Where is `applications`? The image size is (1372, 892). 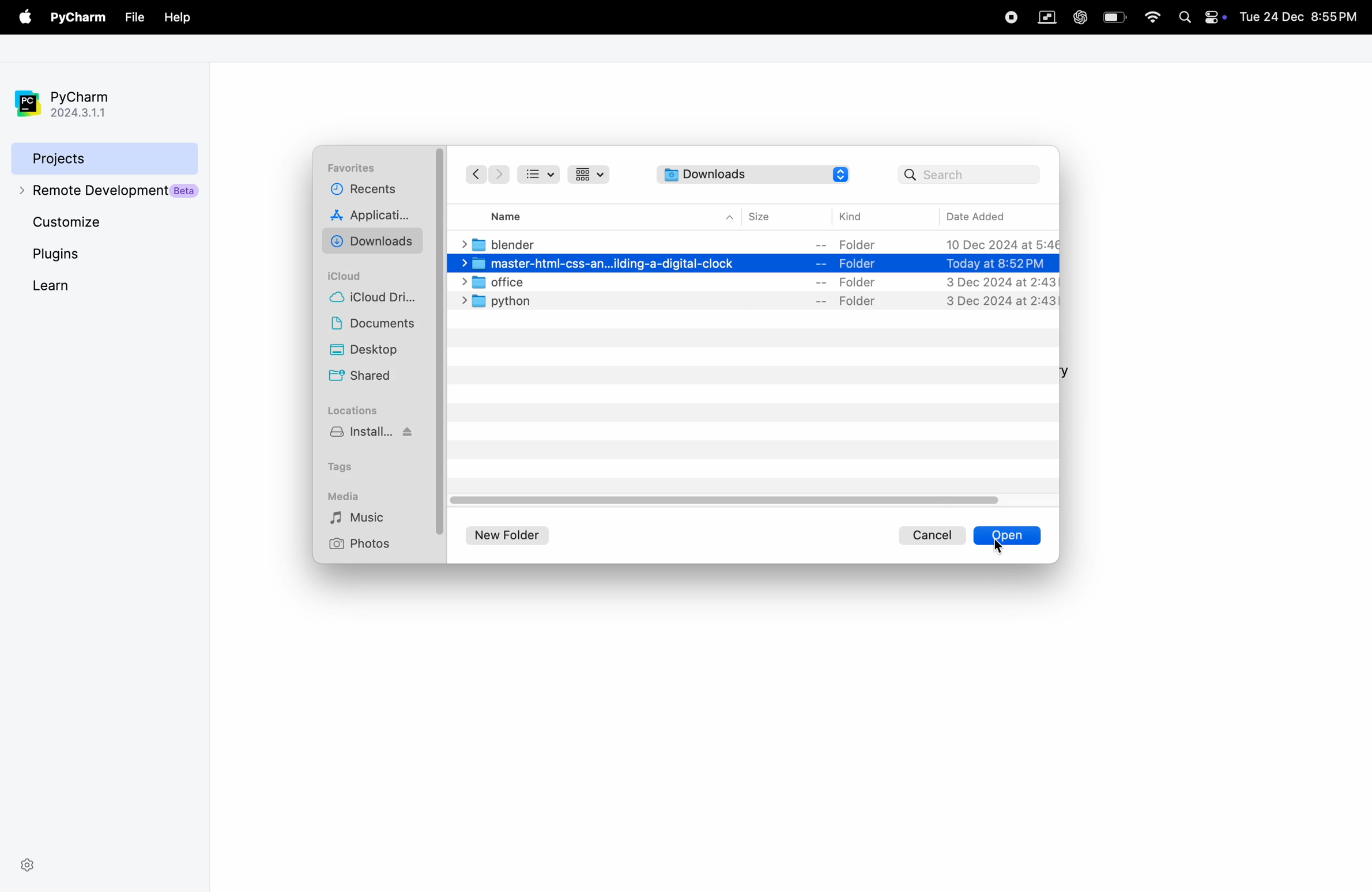
applications is located at coordinates (375, 217).